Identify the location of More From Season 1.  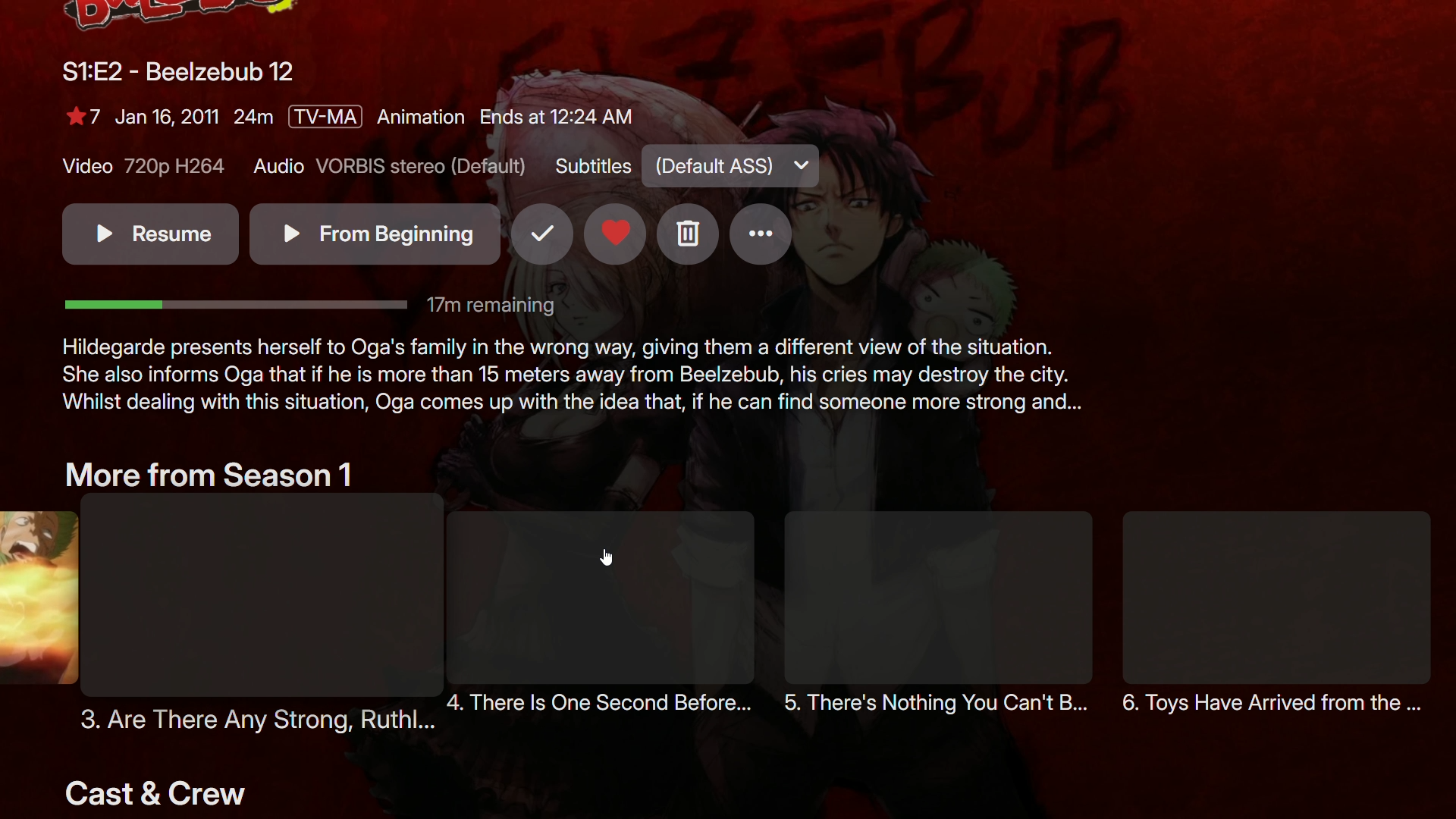
(213, 472).